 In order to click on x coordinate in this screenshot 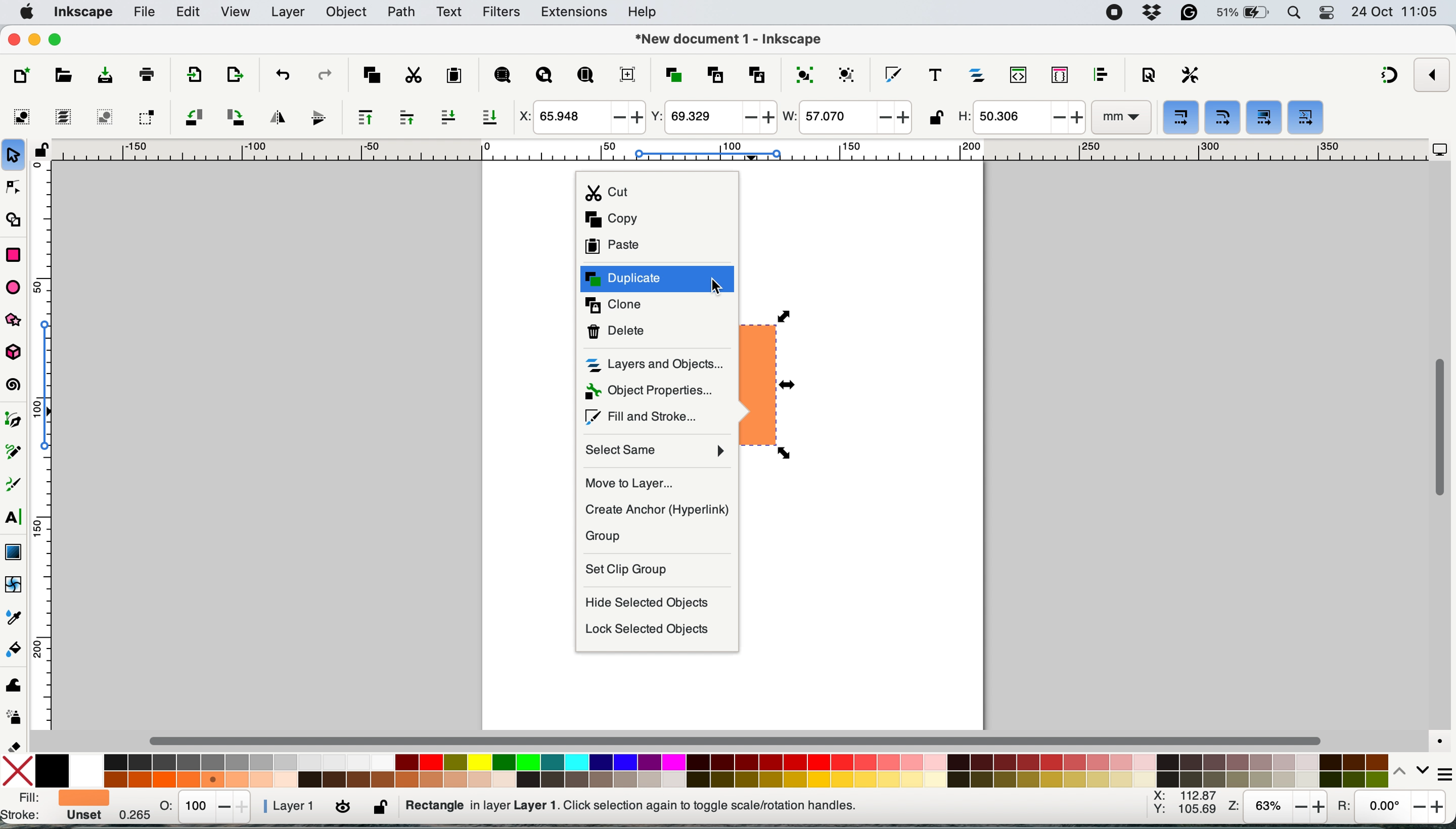, I will do `click(579, 118)`.